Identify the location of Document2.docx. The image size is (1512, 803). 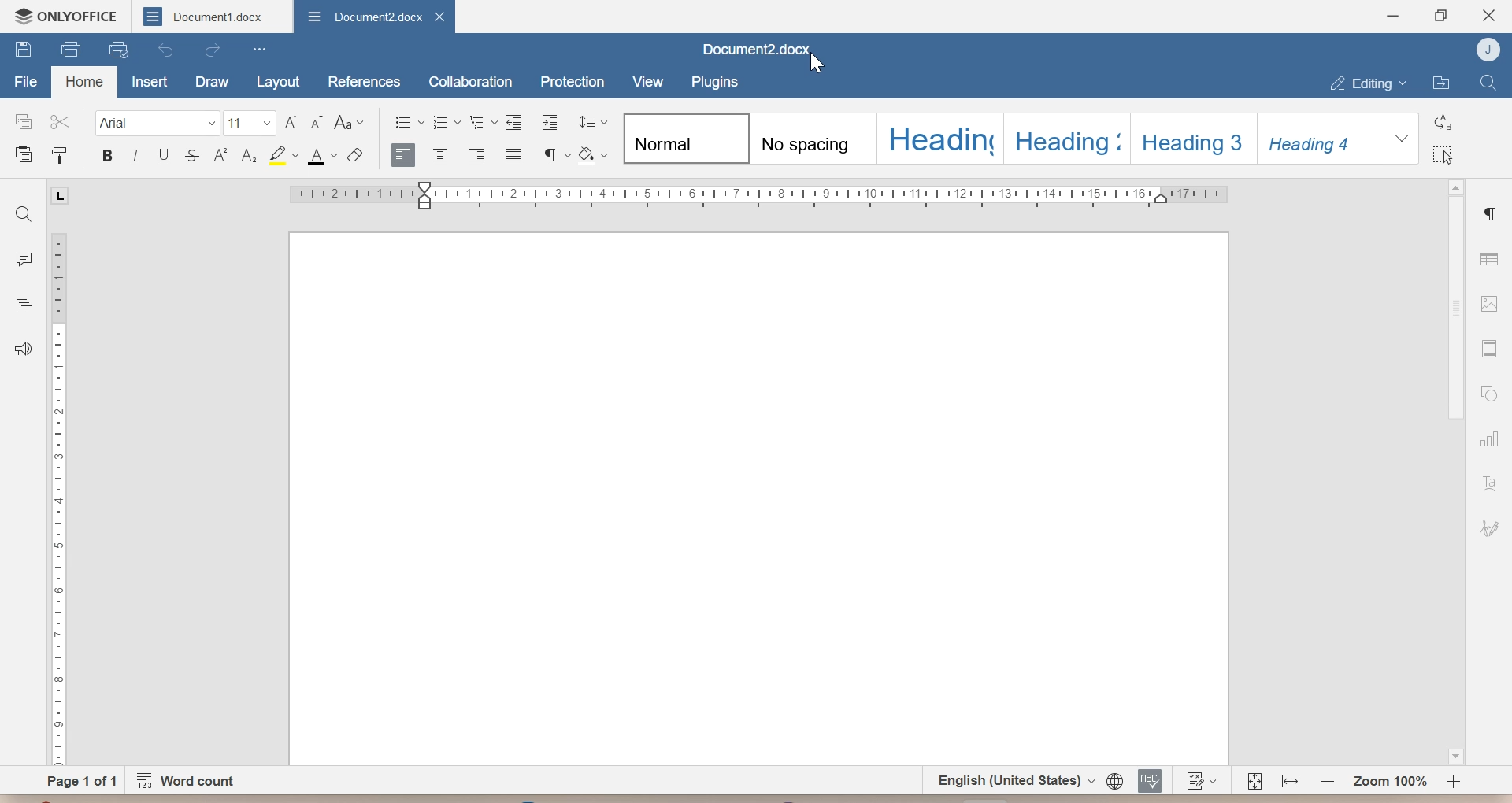
(362, 19).